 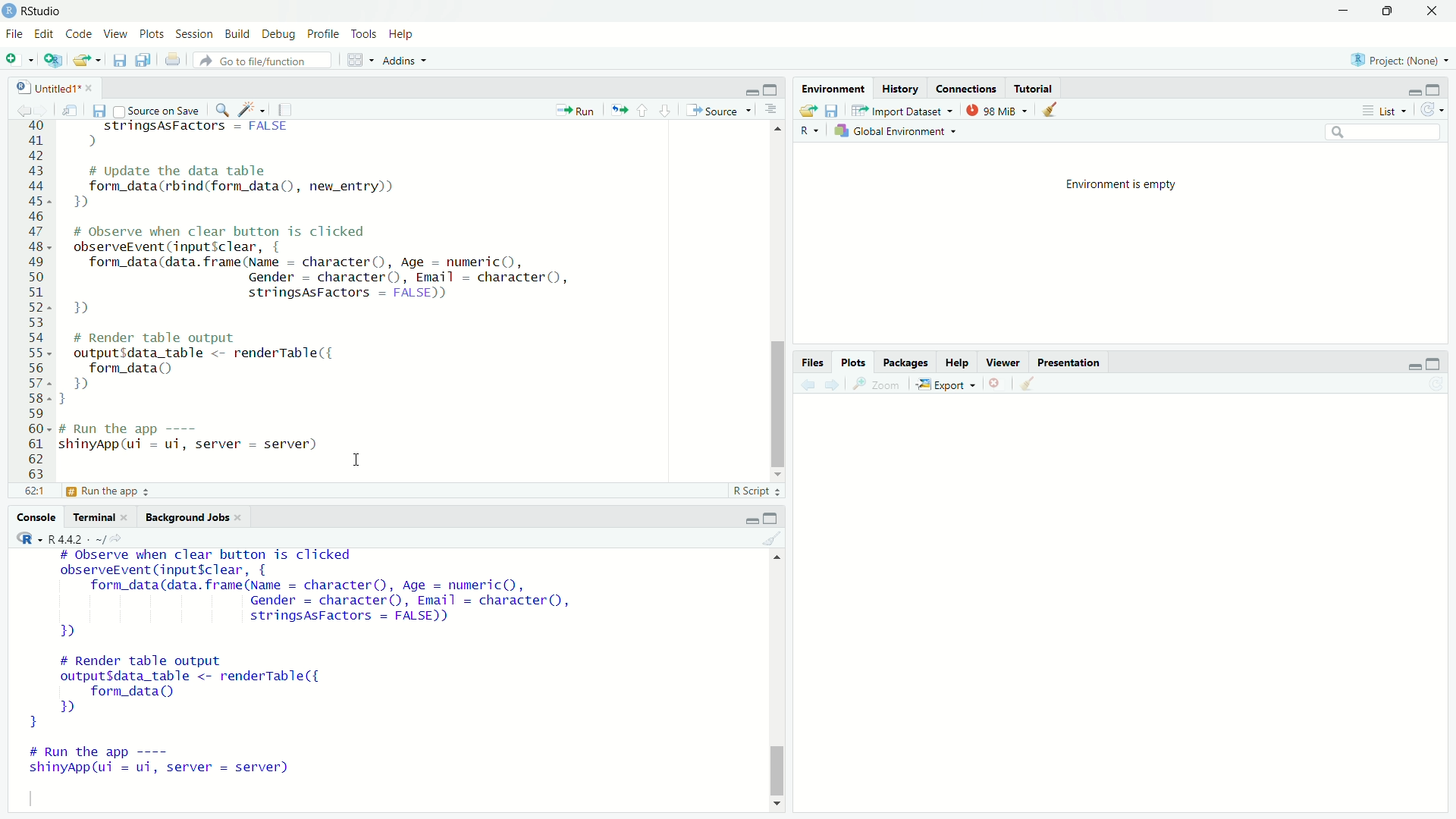 I want to click on code to observe when clear button is clicked, so click(x=335, y=272).